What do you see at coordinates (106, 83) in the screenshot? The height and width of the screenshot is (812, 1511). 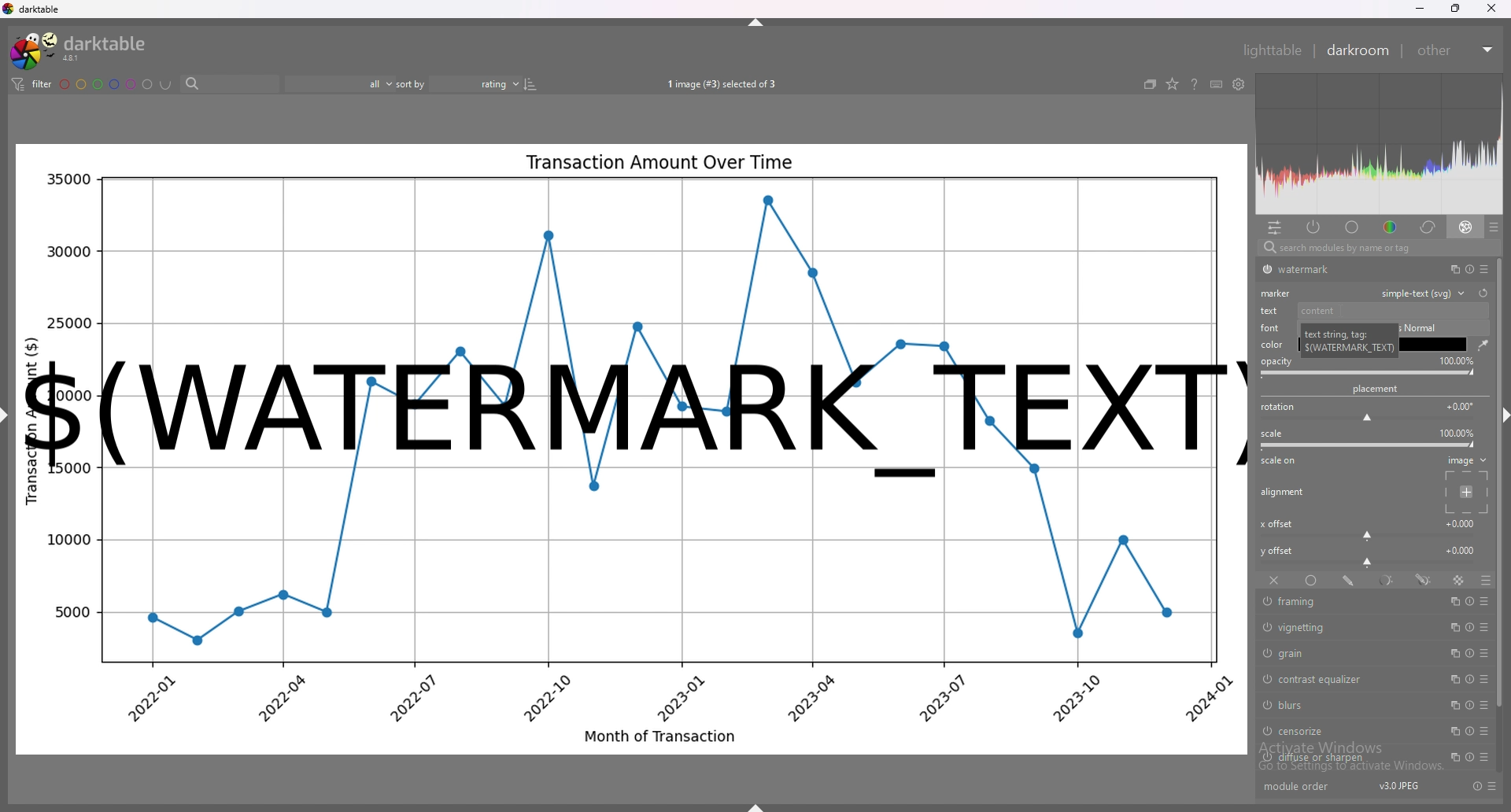 I see `color labels` at bounding box center [106, 83].